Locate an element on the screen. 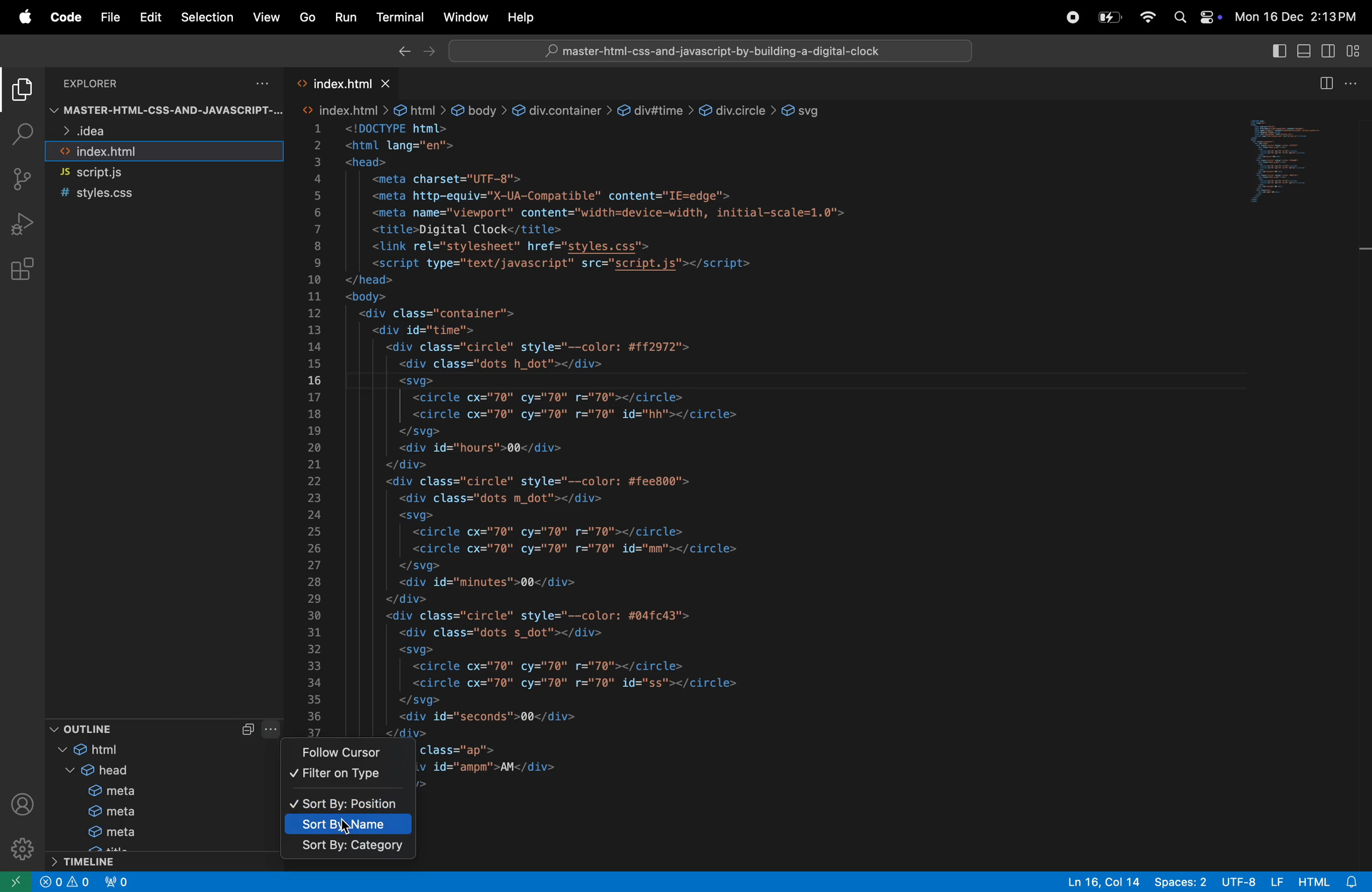 Image resolution: width=1372 pixels, height=892 pixels. code is located at coordinates (63, 18).